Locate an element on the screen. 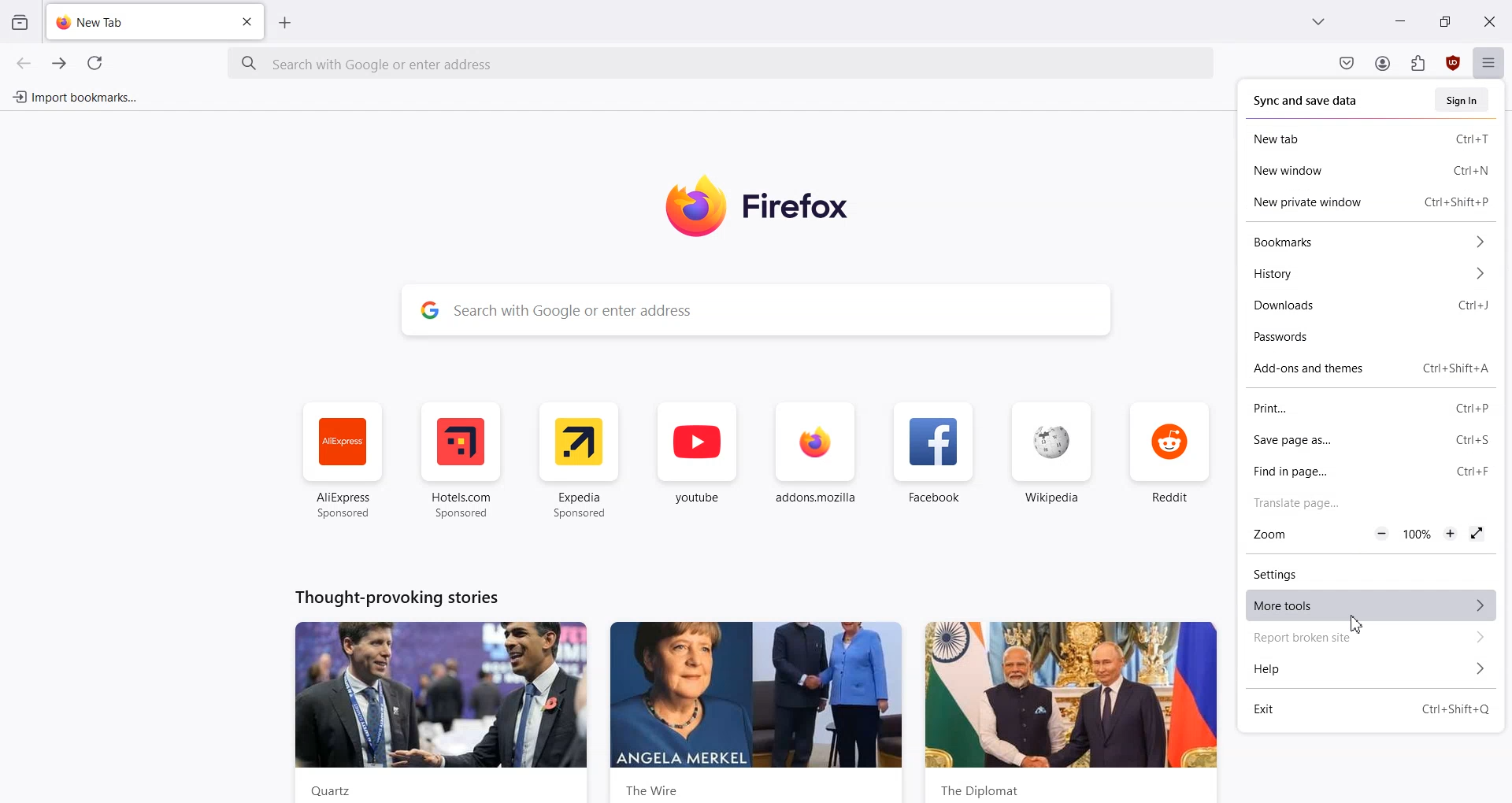 The height and width of the screenshot is (803, 1512). Zoom in is located at coordinates (1451, 534).